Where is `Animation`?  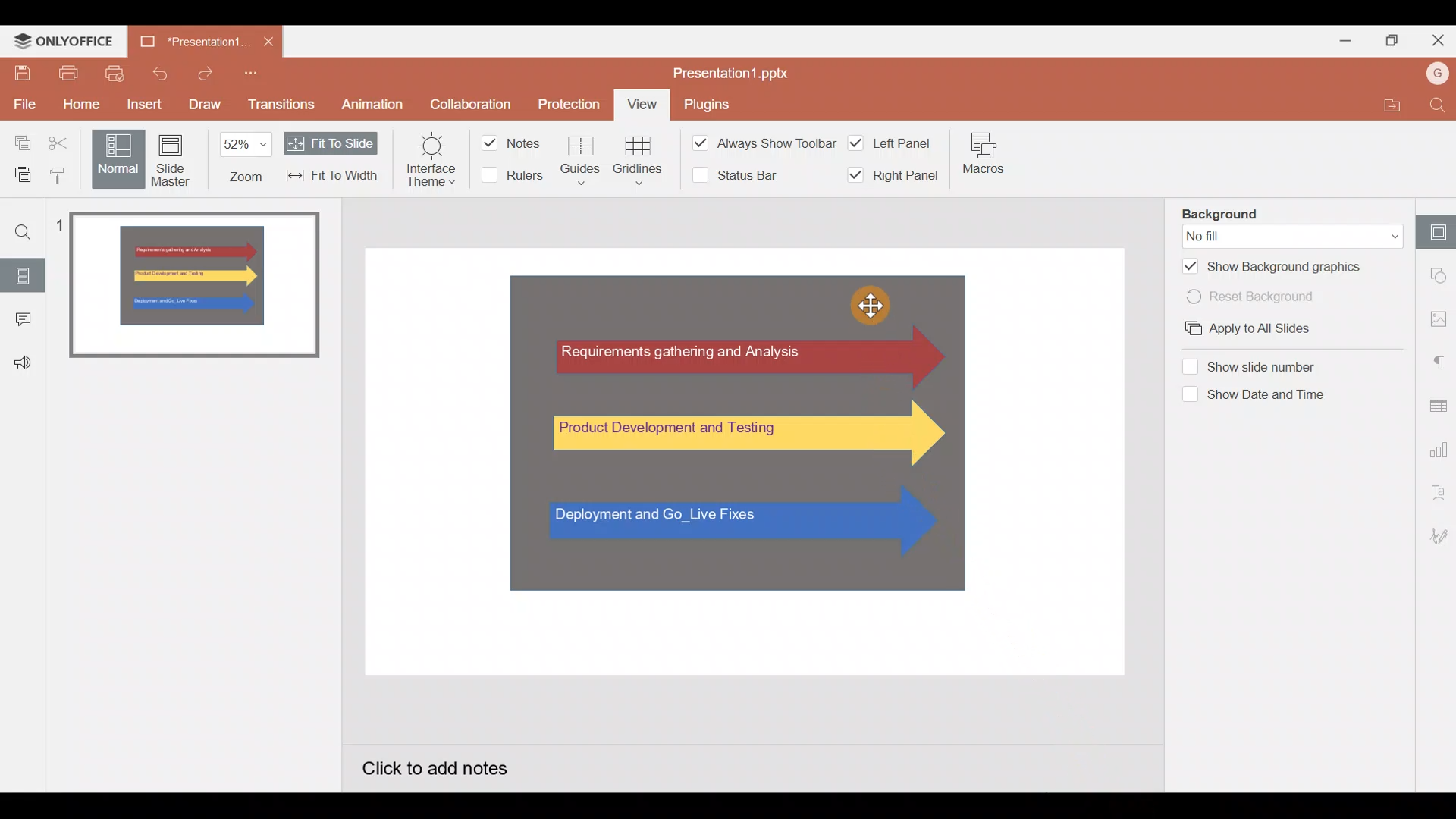
Animation is located at coordinates (374, 102).